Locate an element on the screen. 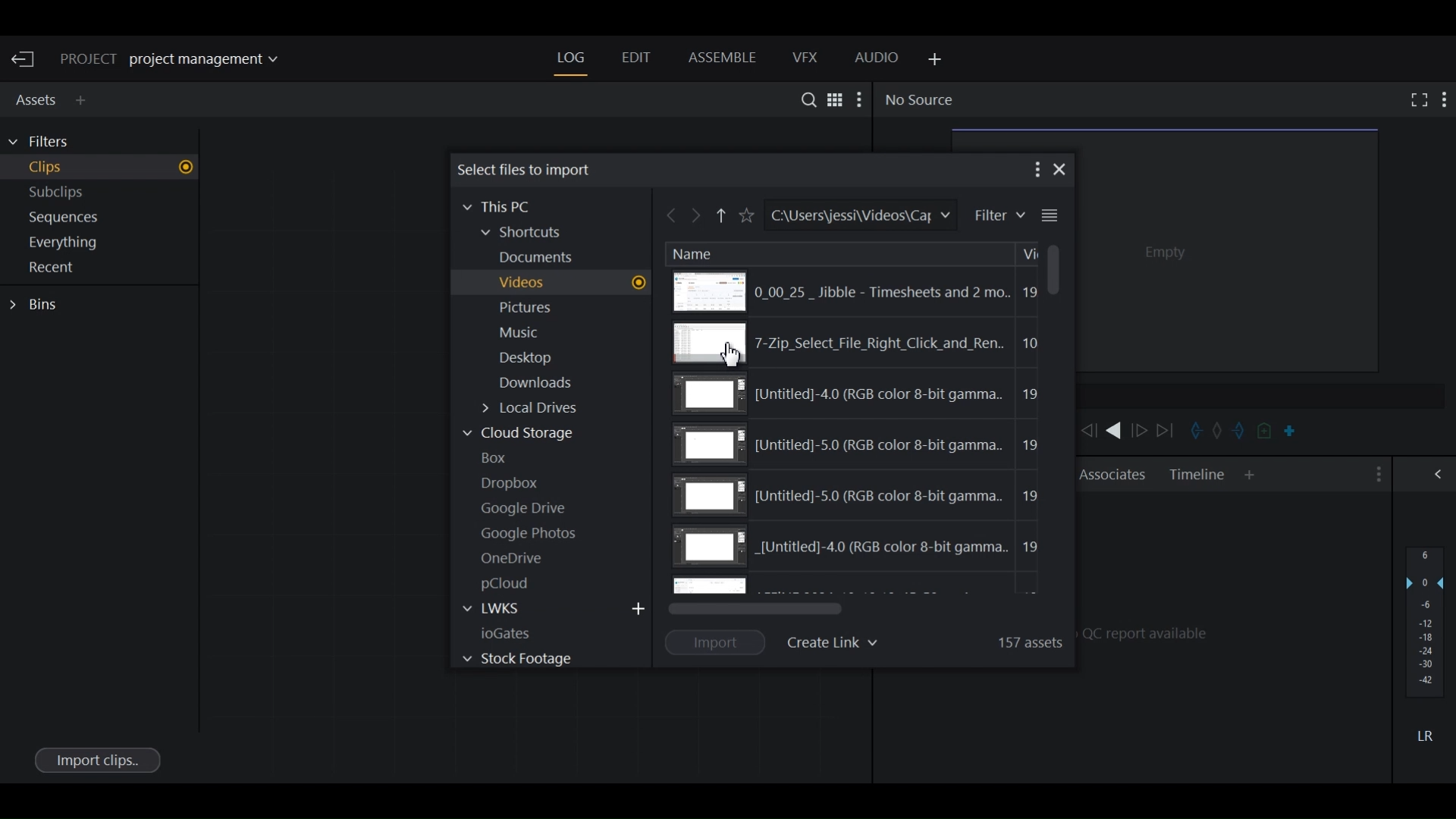 This screenshot has height=819, width=1456. Log is located at coordinates (571, 58).